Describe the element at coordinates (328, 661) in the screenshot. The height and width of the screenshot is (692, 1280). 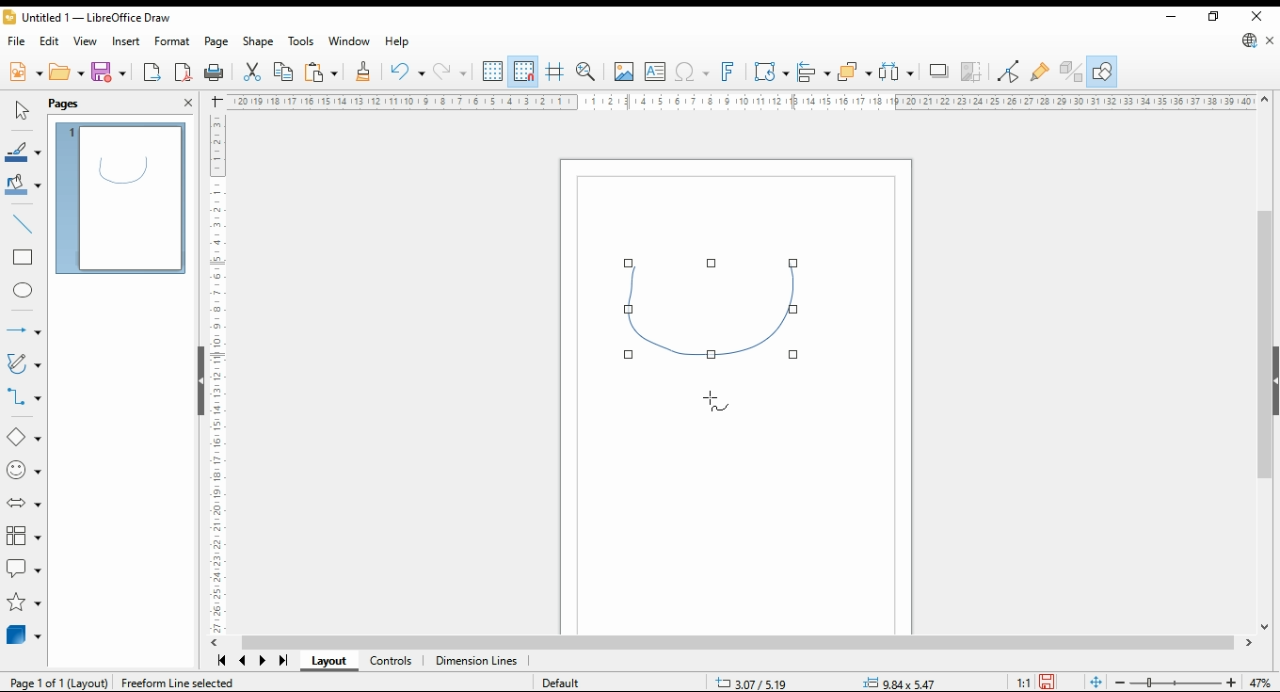
I see `layout` at that location.